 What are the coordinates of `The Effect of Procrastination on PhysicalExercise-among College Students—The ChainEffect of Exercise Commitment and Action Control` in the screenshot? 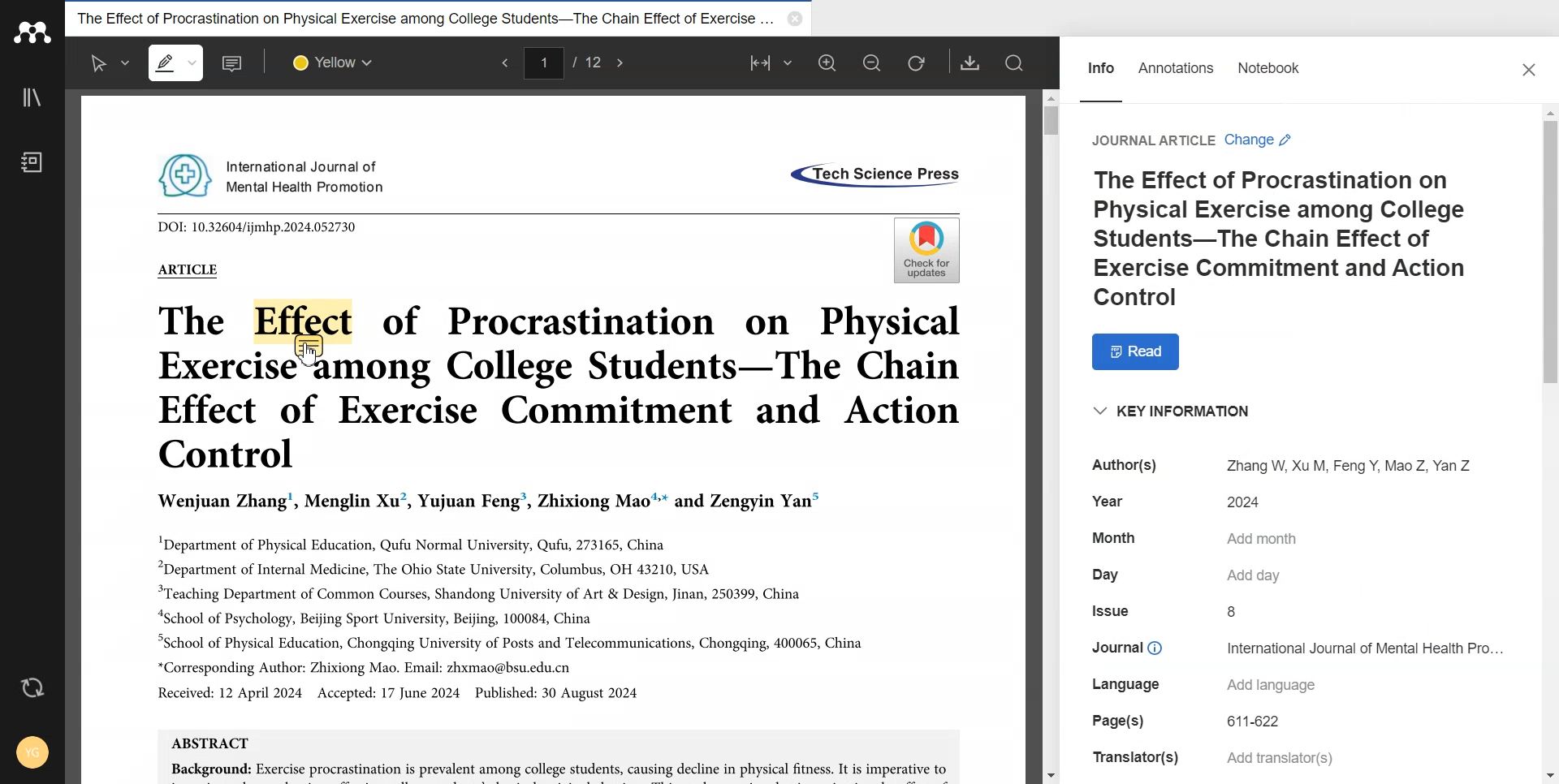 It's located at (559, 390).